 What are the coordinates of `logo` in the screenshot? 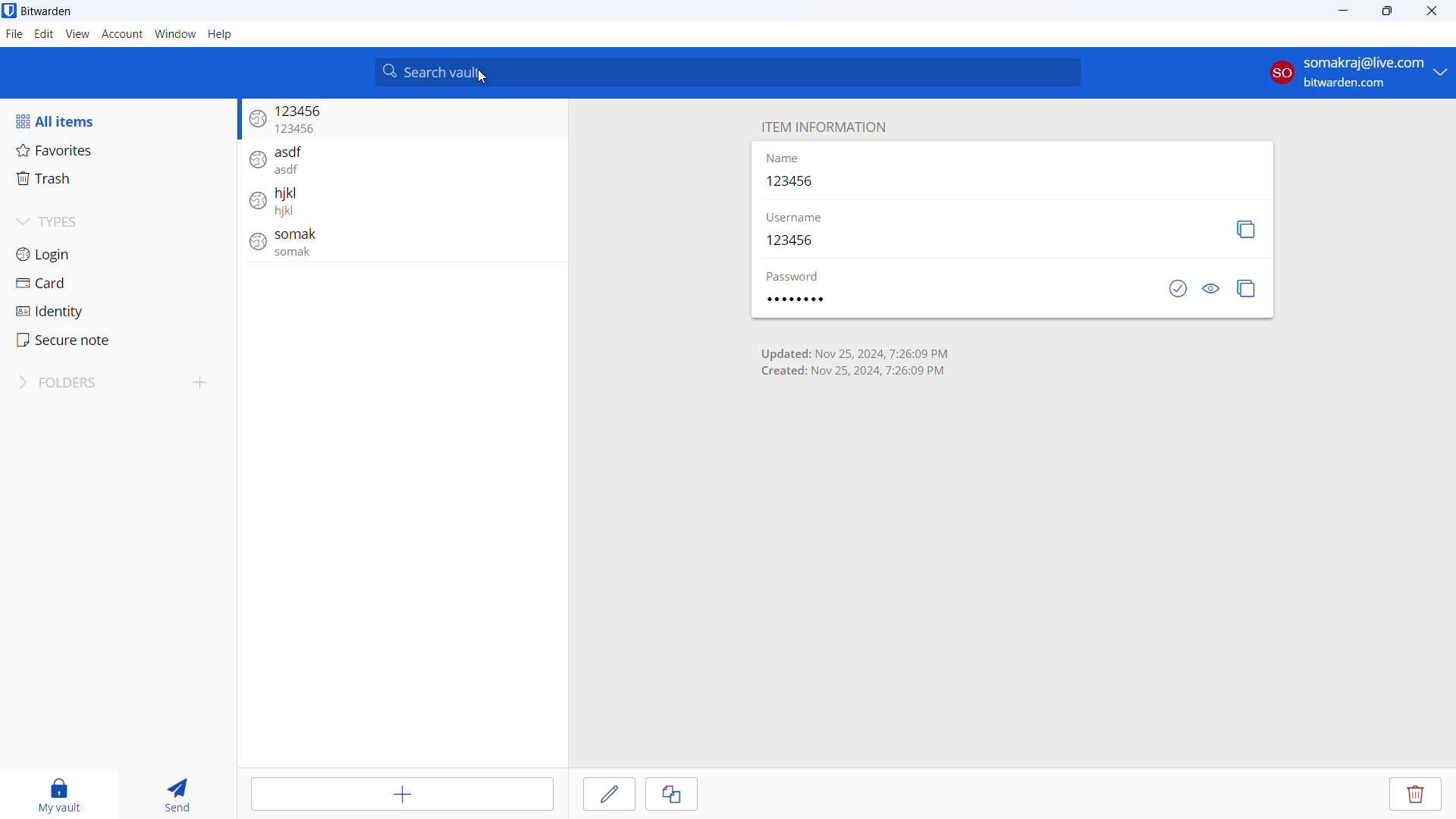 It's located at (9, 11).